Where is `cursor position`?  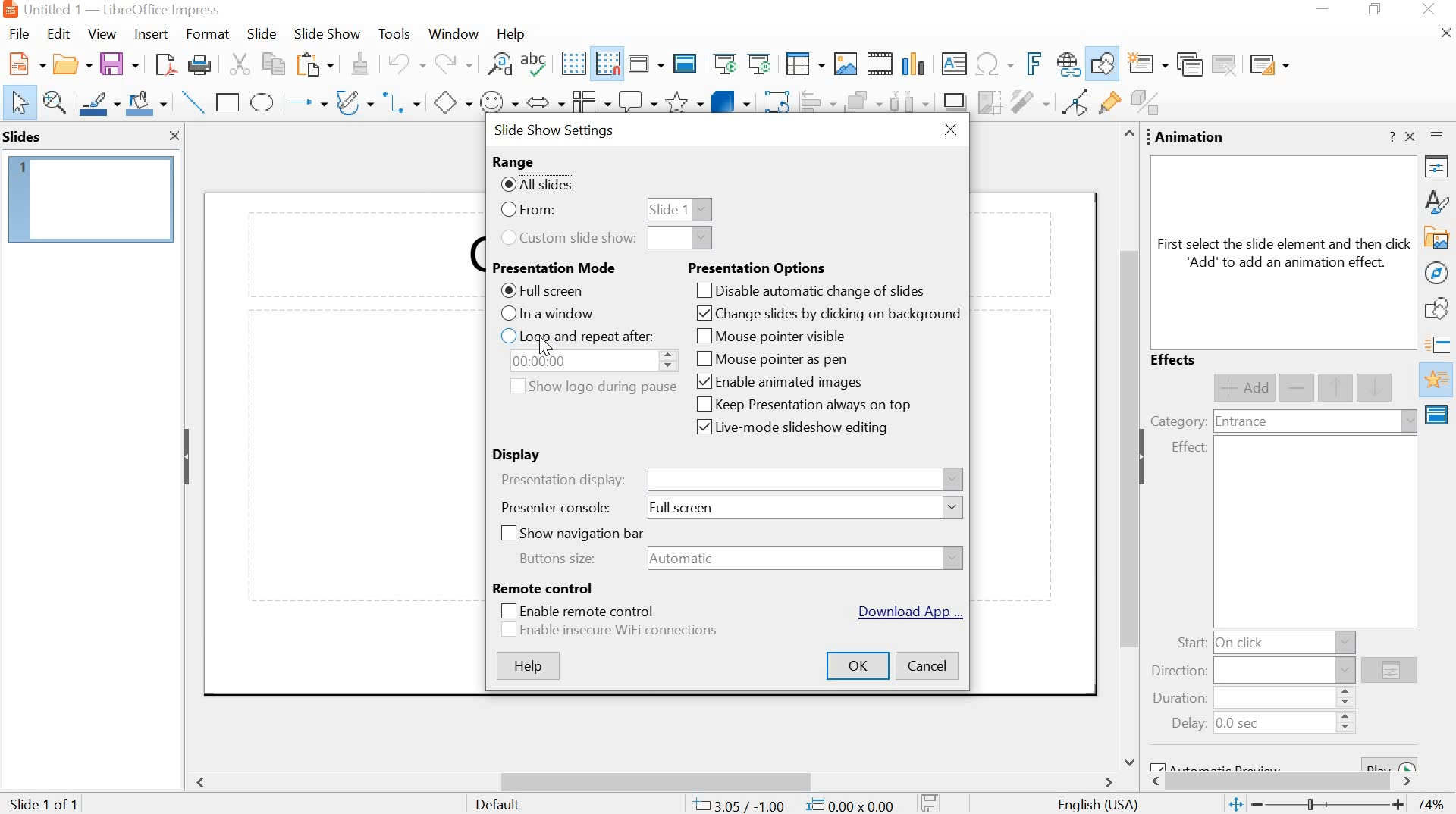
cursor position is located at coordinates (739, 805).